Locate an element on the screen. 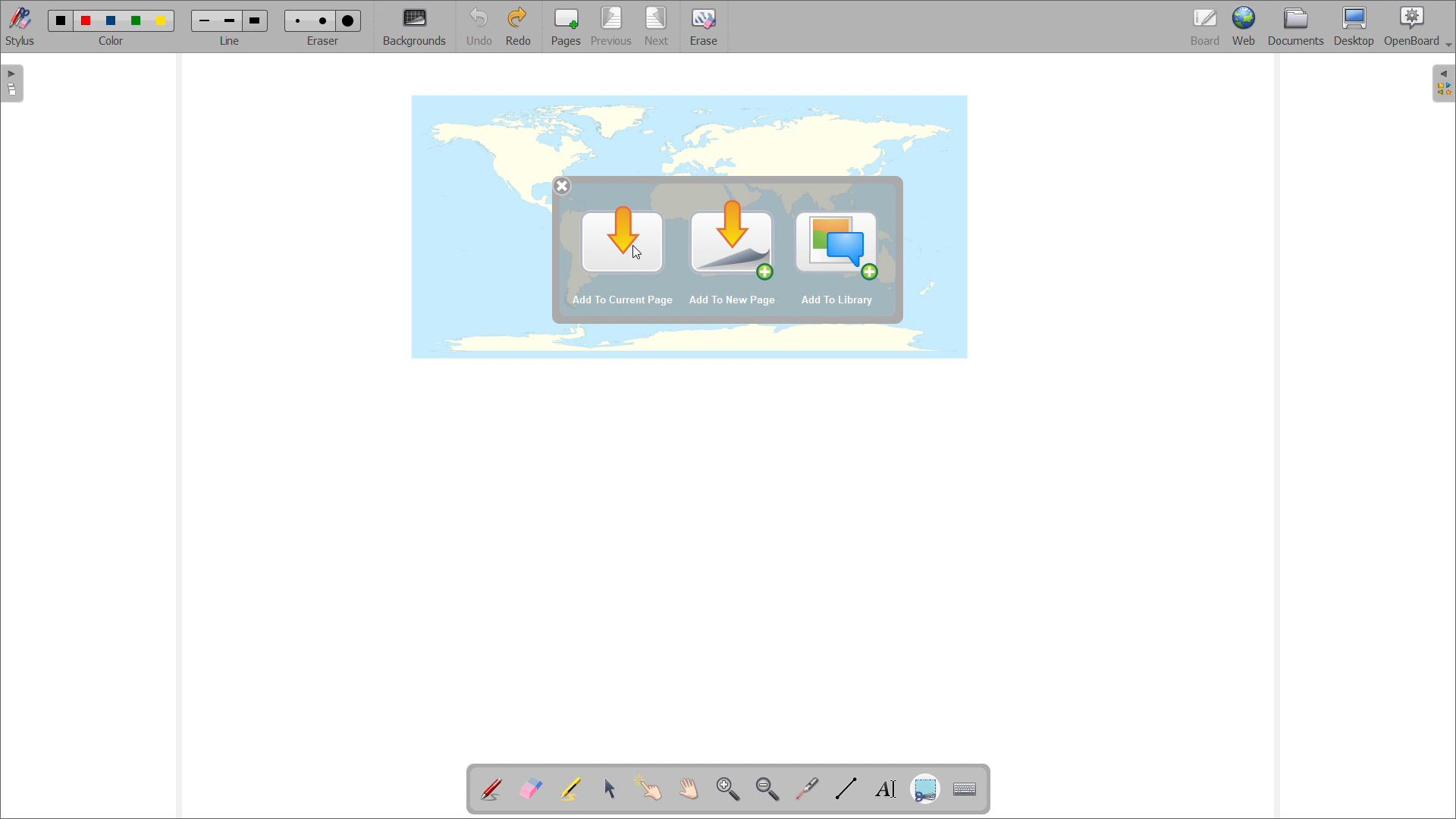 The image size is (1456, 819). Eraser is located at coordinates (325, 40).